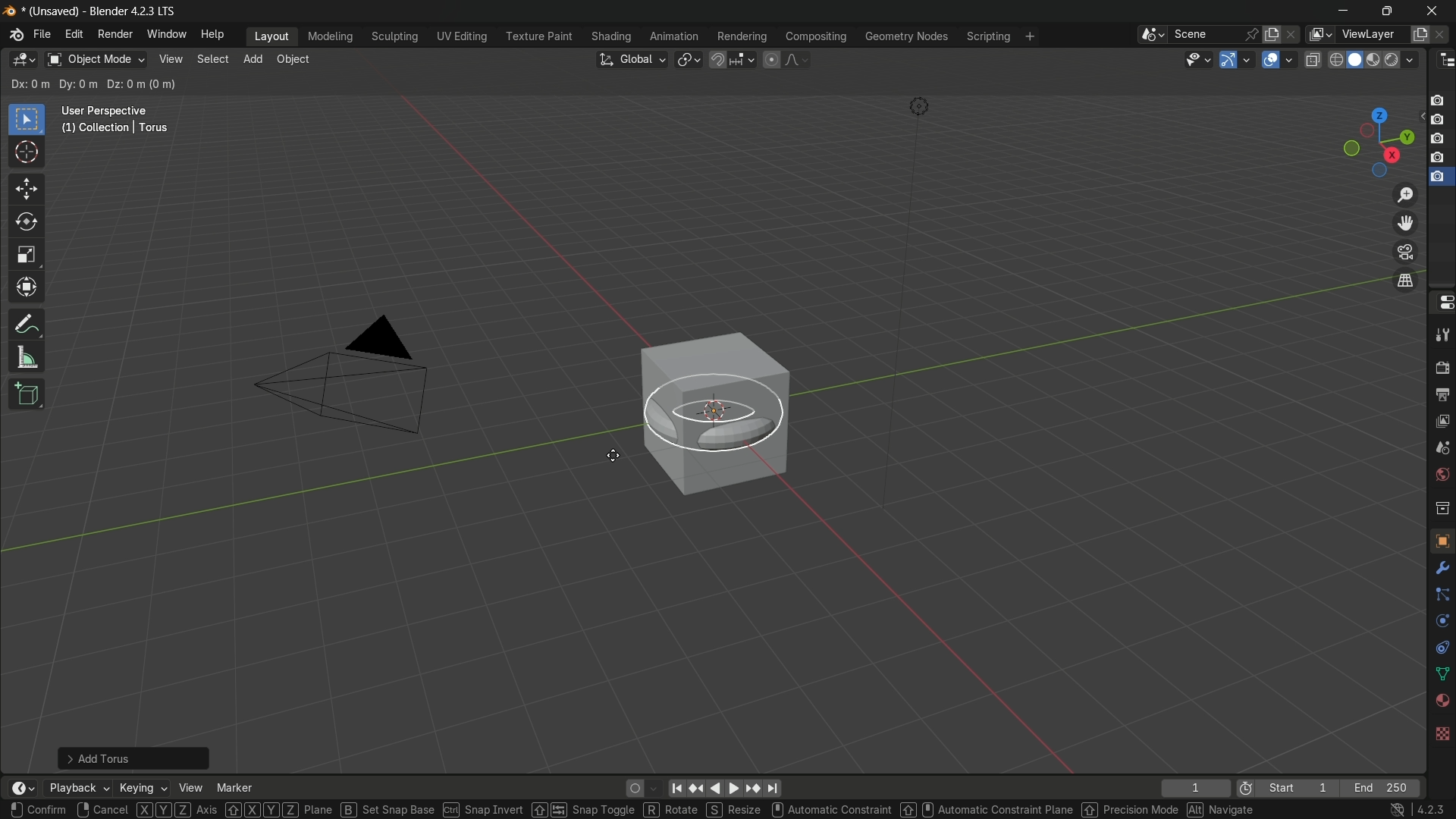 The height and width of the screenshot is (819, 1456). Describe the element at coordinates (1442, 34) in the screenshot. I see `remove layer` at that location.